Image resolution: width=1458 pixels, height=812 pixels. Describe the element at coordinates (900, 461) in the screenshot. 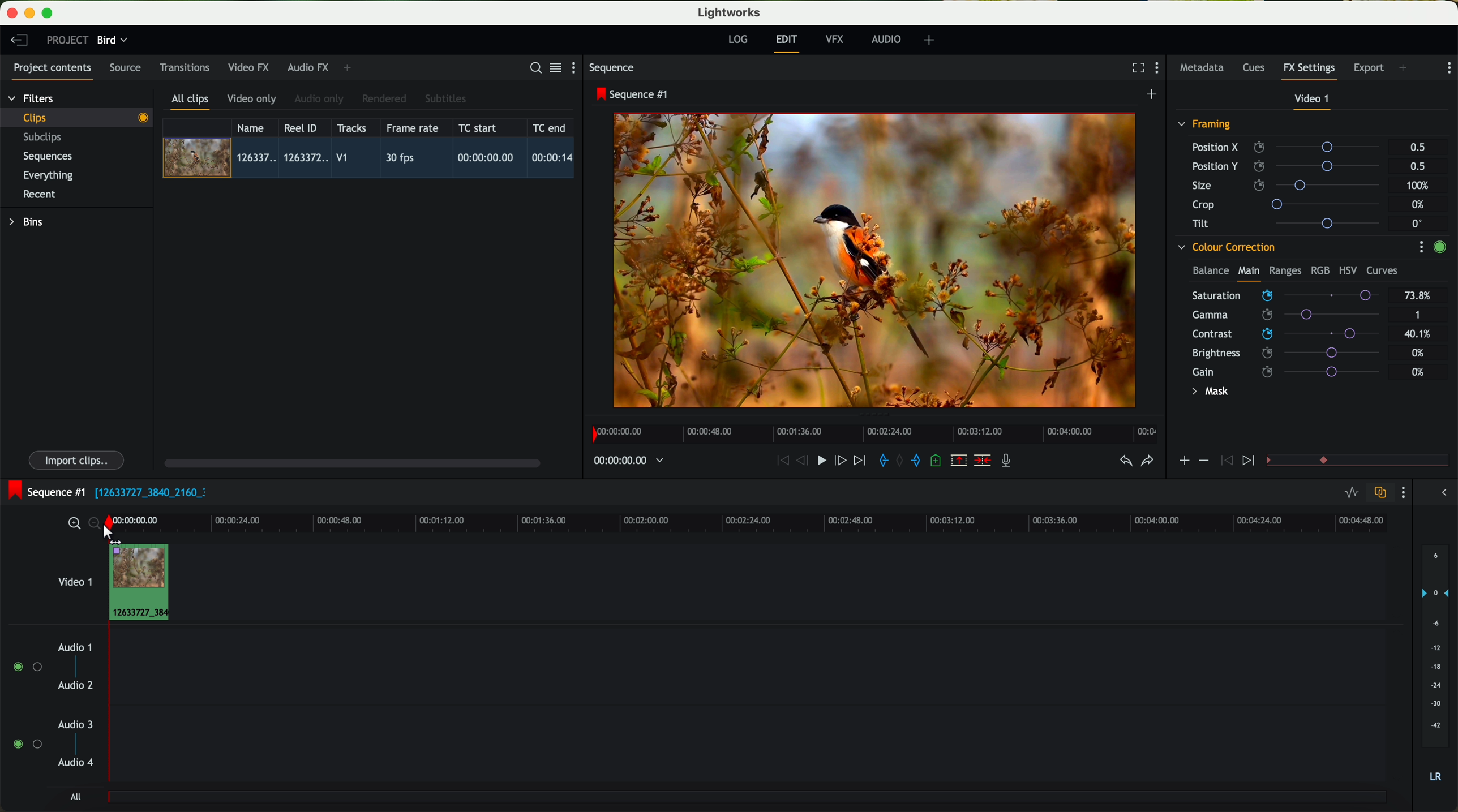

I see `clear marks` at that location.